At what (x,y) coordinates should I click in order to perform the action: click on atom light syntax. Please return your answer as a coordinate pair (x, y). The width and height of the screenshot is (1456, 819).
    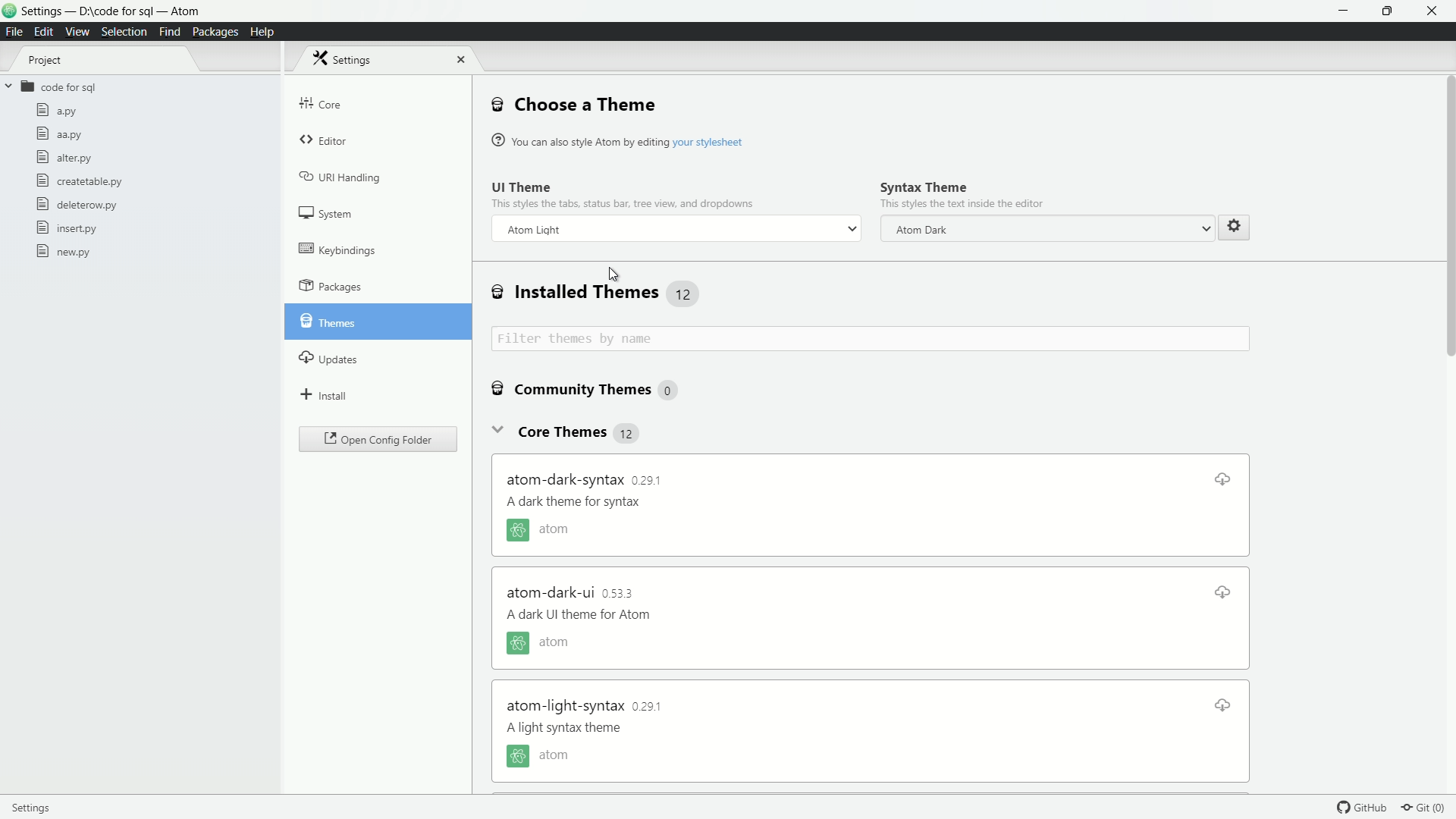
    Looking at the image, I should click on (585, 704).